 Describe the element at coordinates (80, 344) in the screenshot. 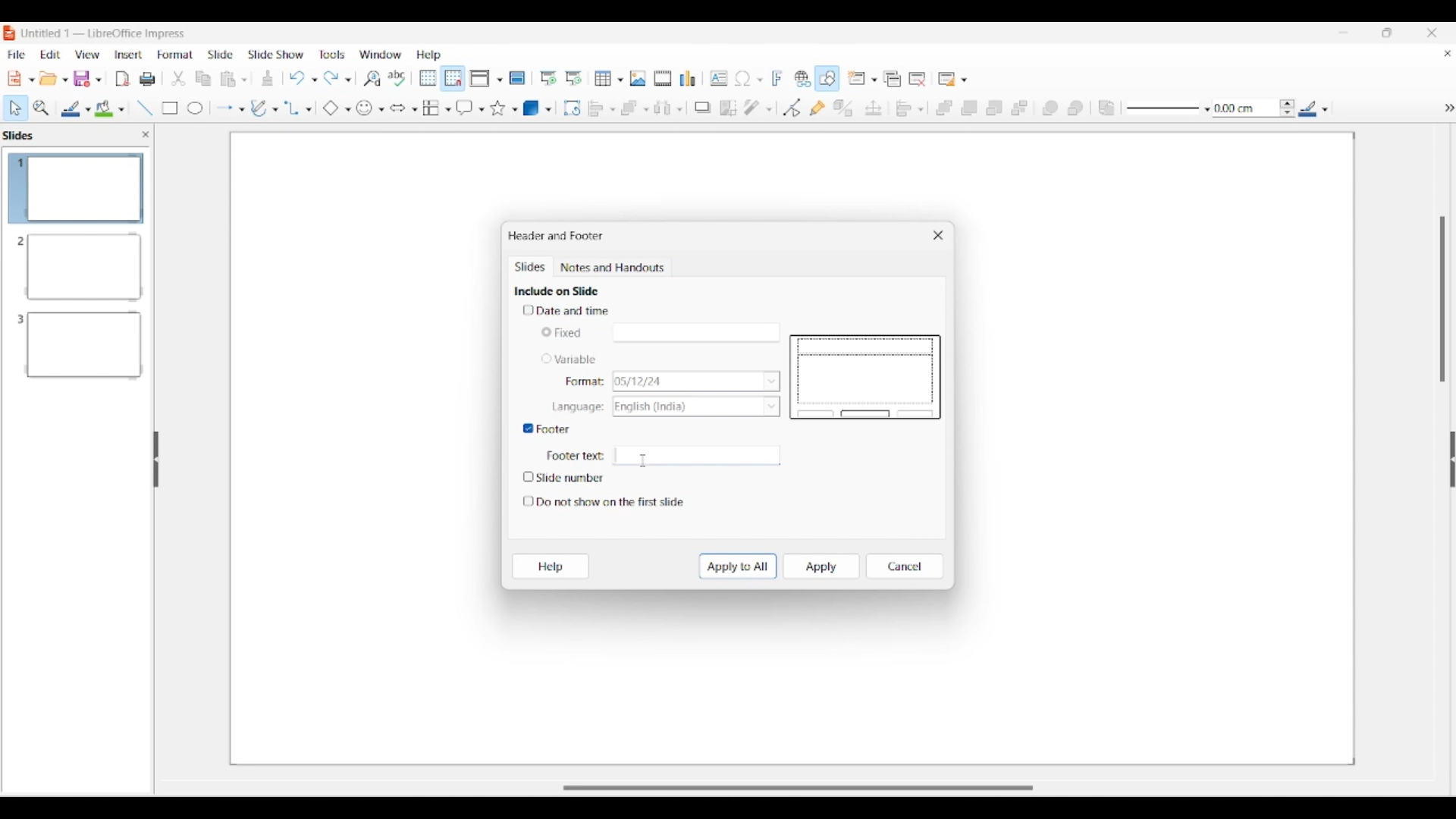

I see `Slide 3` at that location.